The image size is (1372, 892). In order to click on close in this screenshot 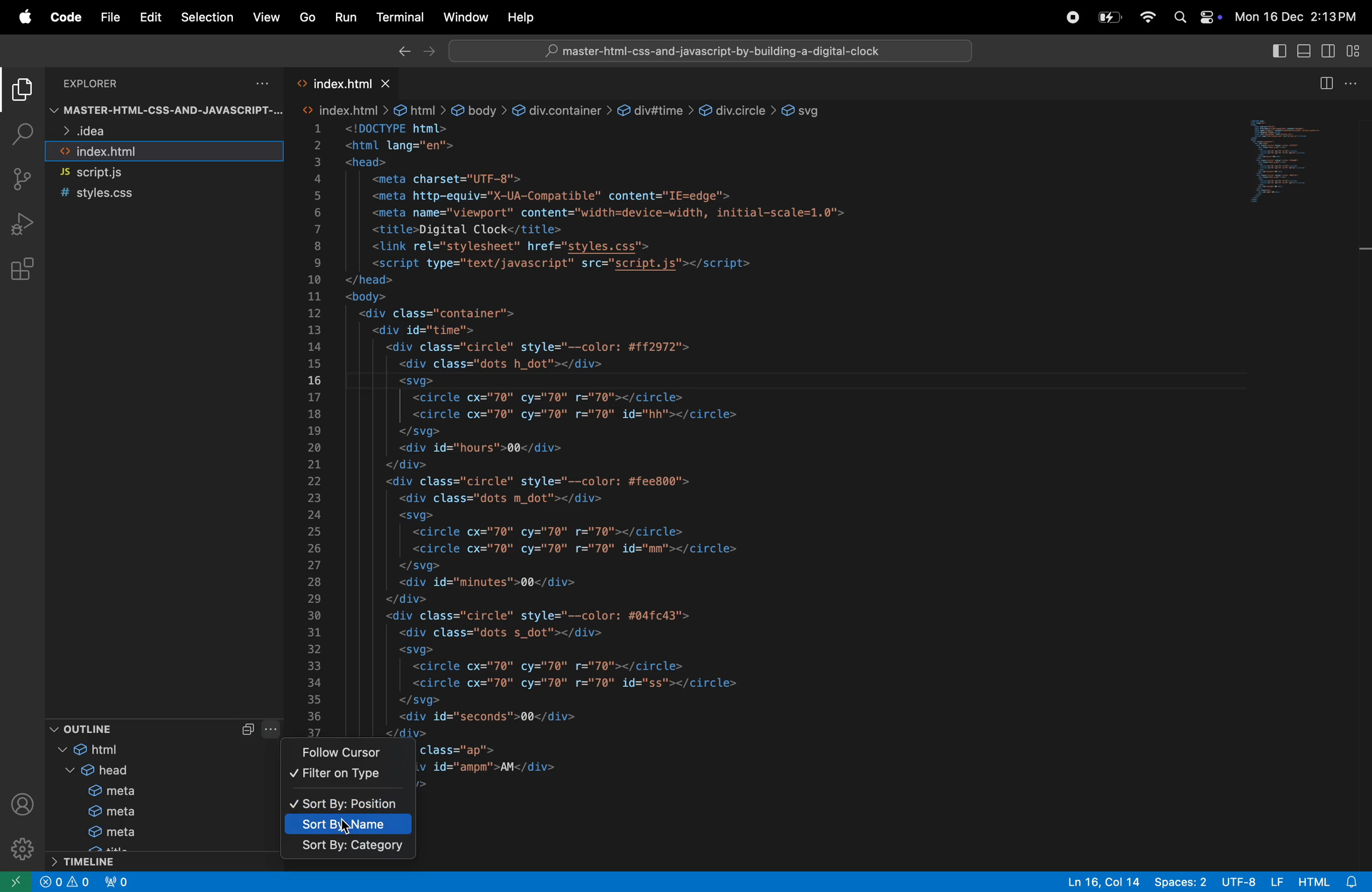, I will do `click(388, 84)`.